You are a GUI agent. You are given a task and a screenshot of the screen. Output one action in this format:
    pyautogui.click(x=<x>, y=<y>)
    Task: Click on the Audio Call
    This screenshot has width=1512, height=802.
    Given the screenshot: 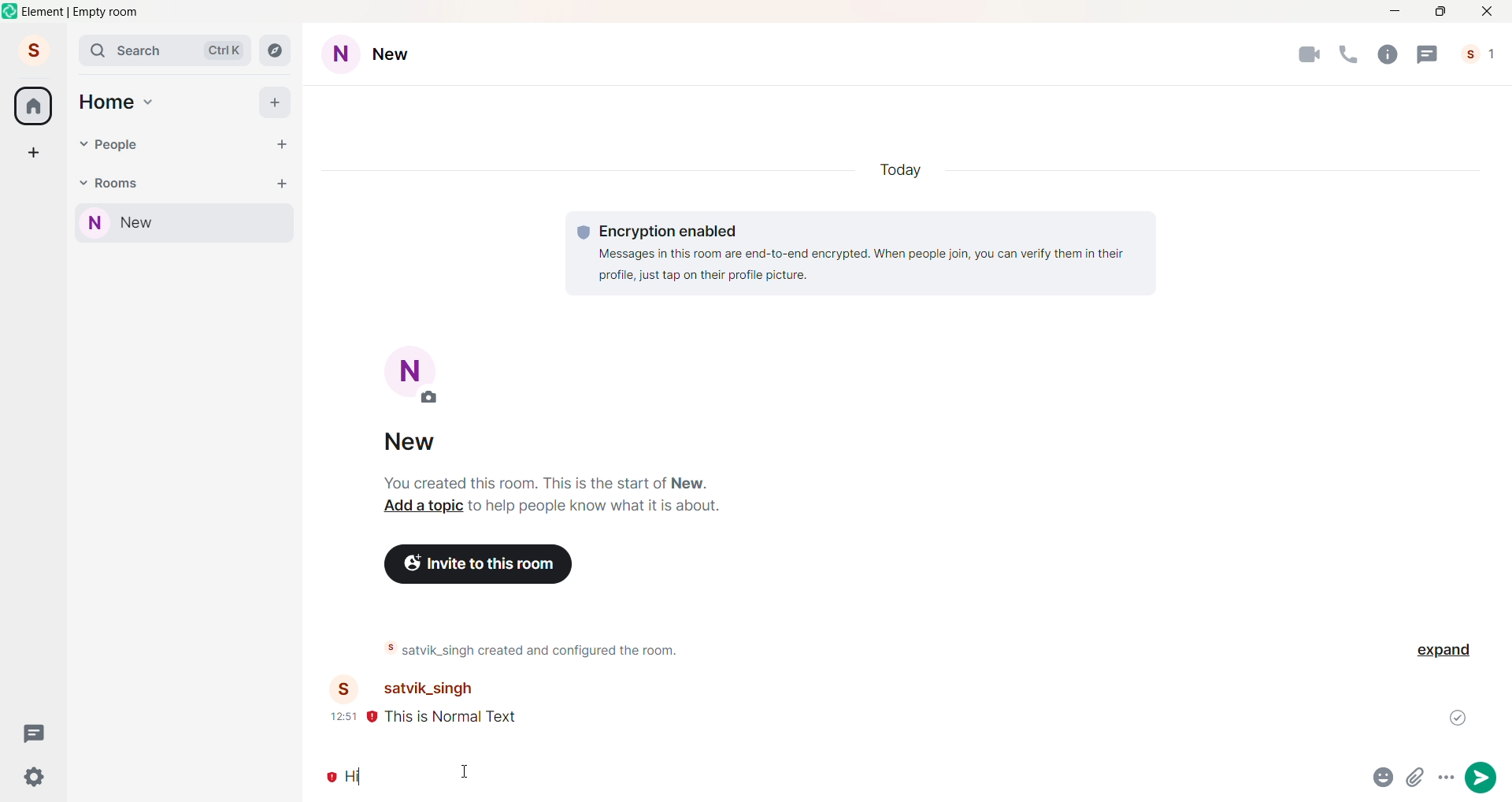 What is the action you would take?
    pyautogui.click(x=1346, y=54)
    